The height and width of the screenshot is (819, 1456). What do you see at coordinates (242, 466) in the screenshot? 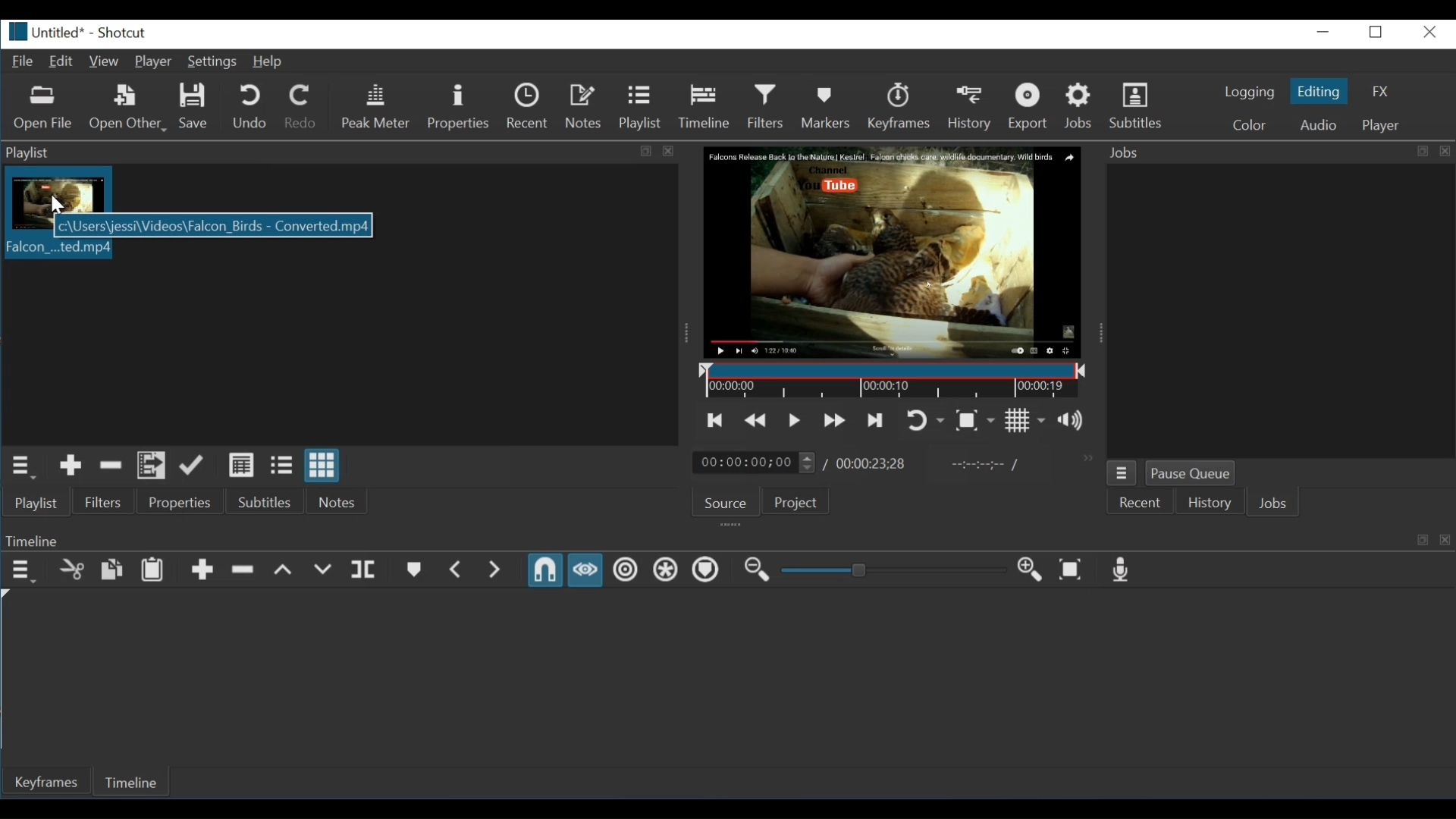
I see `View as detail` at bounding box center [242, 466].